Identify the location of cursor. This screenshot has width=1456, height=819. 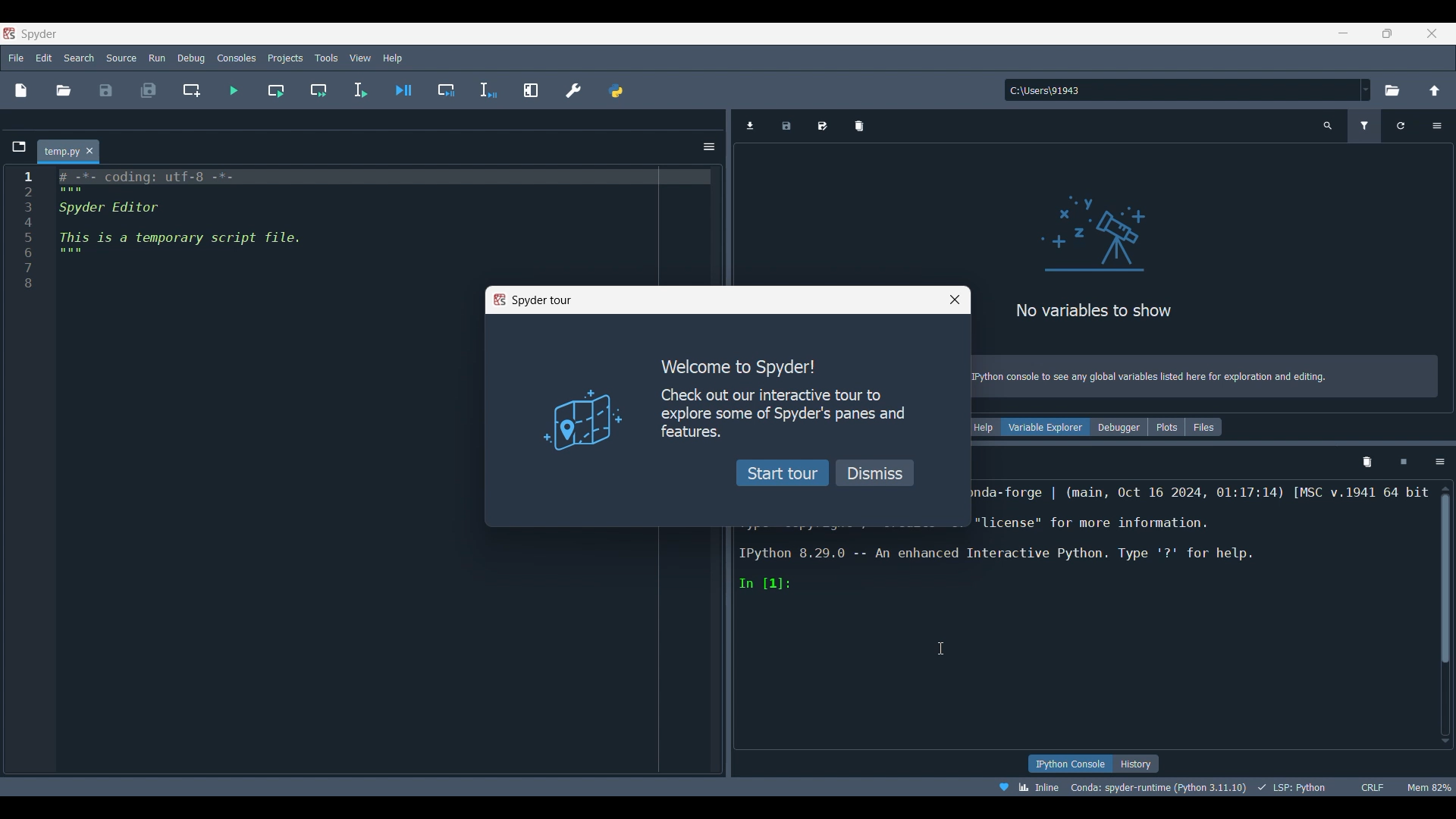
(941, 648).